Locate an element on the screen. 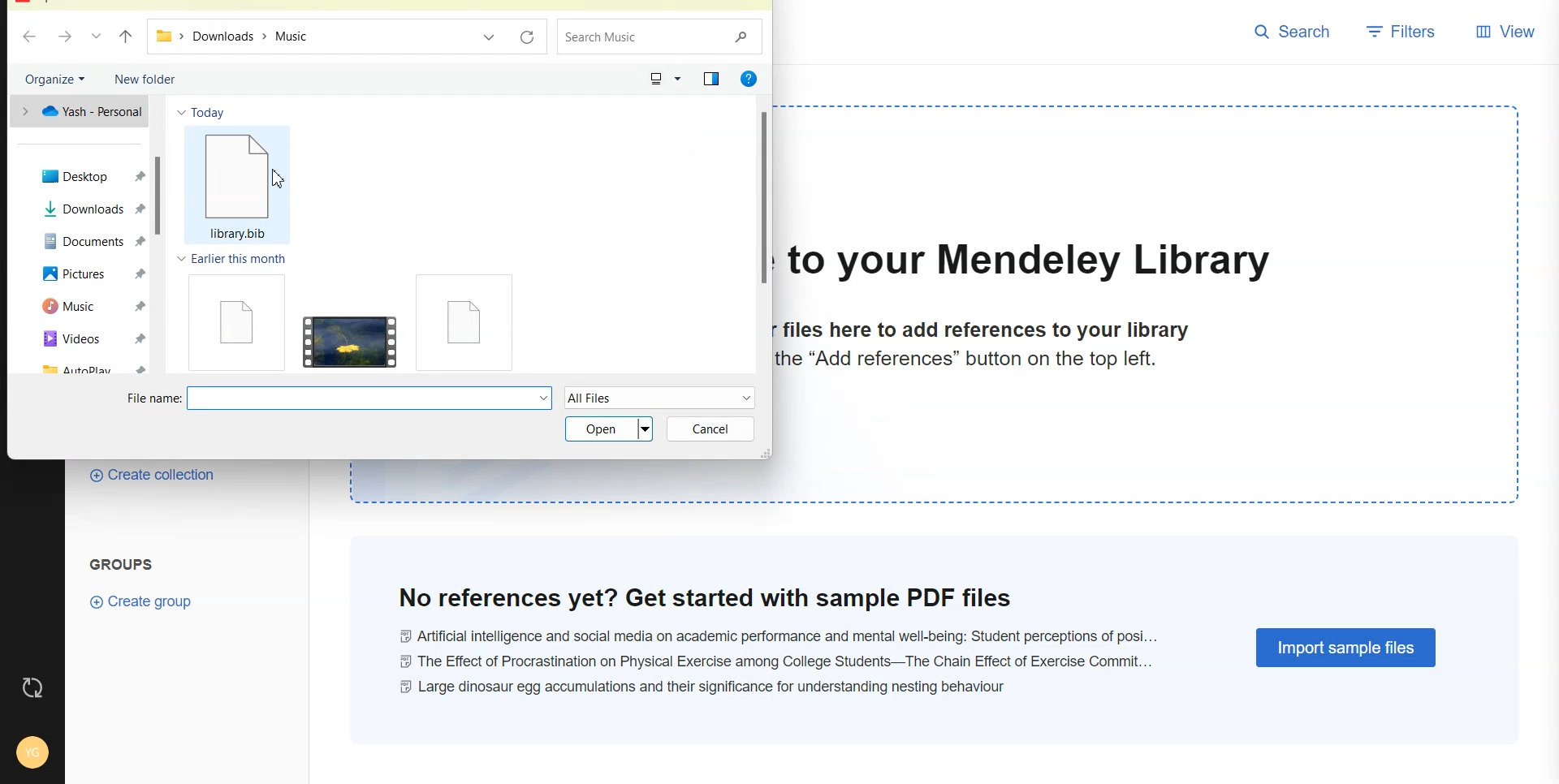  Create Collection is located at coordinates (205, 485).